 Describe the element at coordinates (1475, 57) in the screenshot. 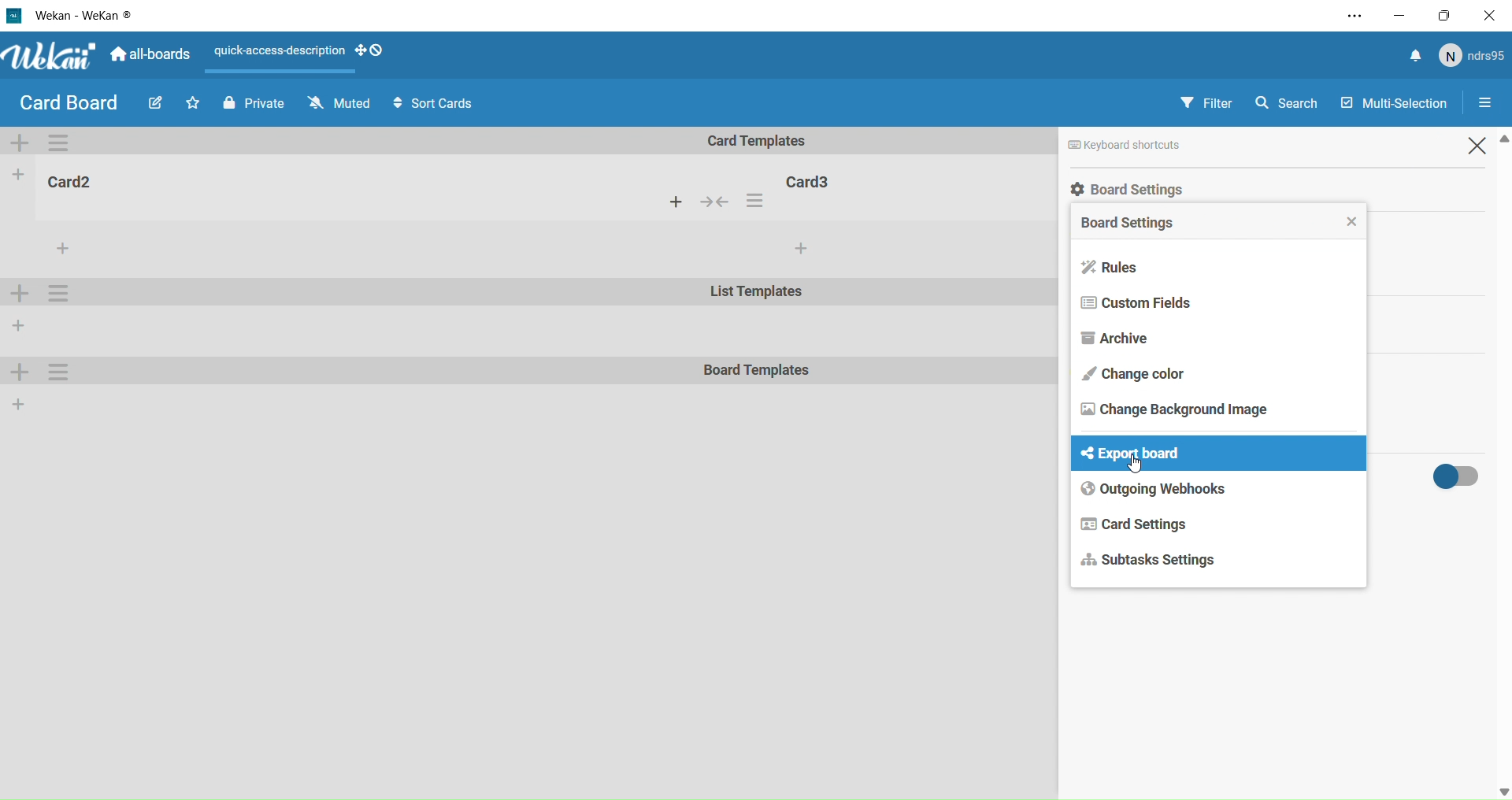

I see `Users` at that location.